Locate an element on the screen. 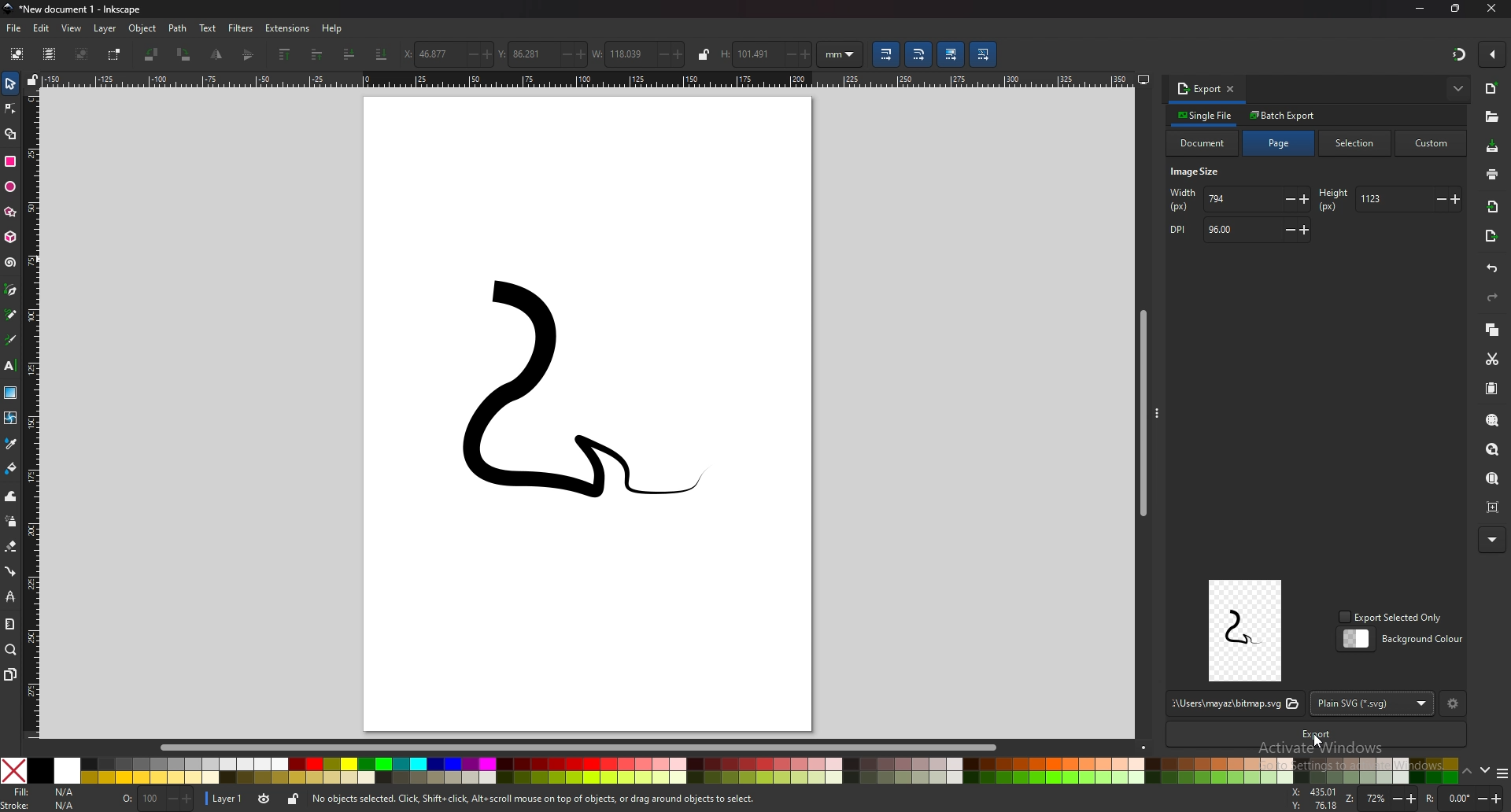 Image resolution: width=1511 pixels, height=812 pixels. raise selection to top is located at coordinates (285, 55).